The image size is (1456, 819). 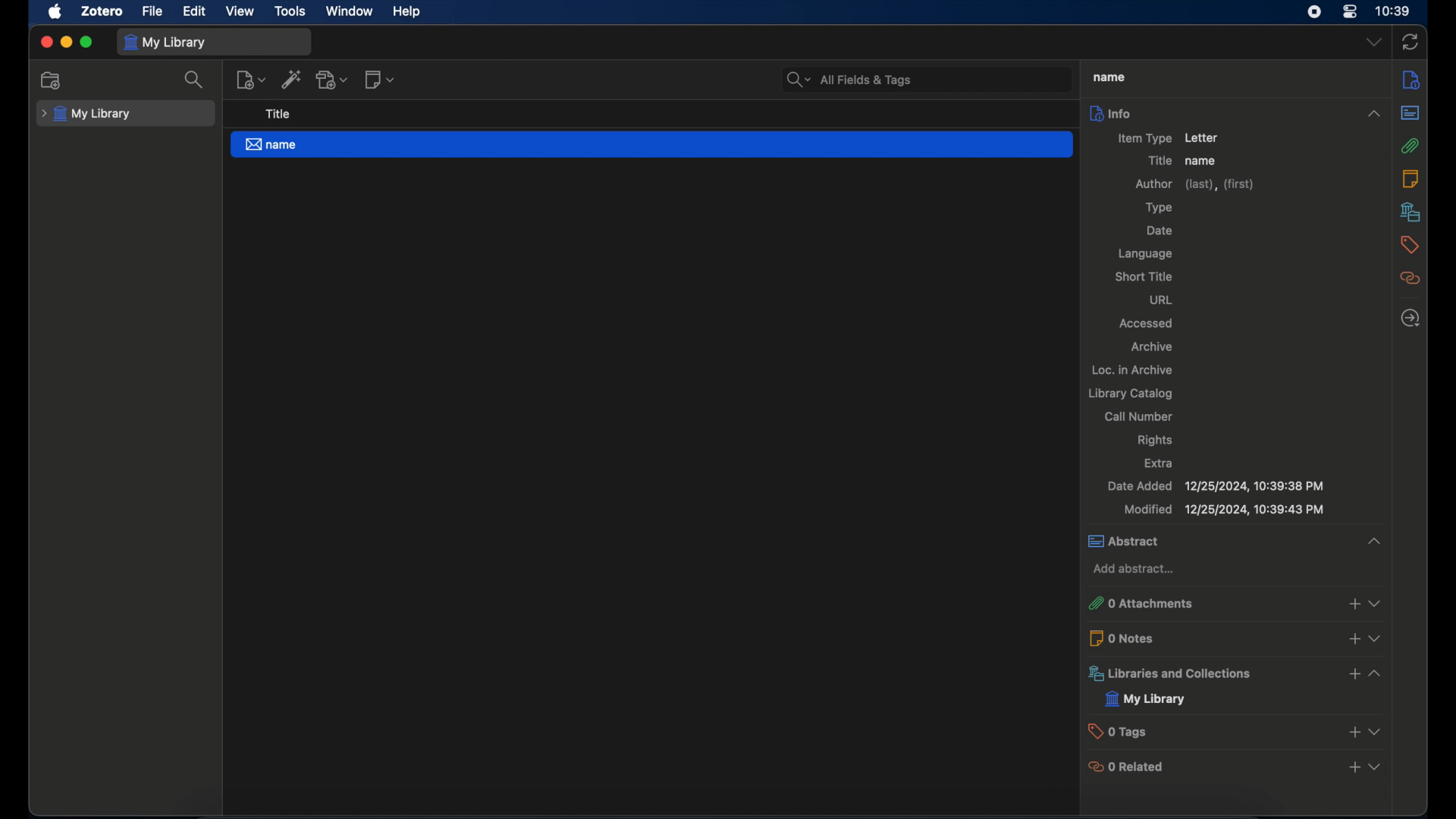 What do you see at coordinates (1134, 393) in the screenshot?
I see `library catalog` at bounding box center [1134, 393].